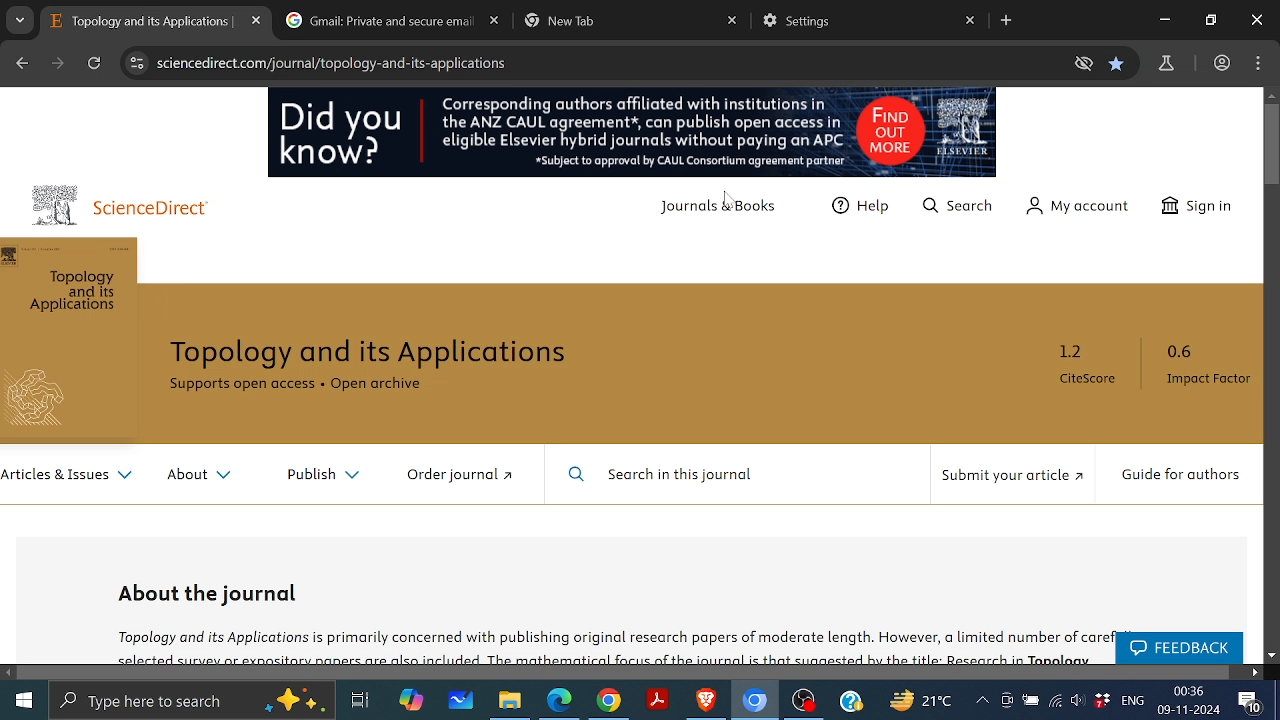 The image size is (1280, 720). Describe the element at coordinates (459, 473) in the screenshot. I see ` Order journal` at that location.